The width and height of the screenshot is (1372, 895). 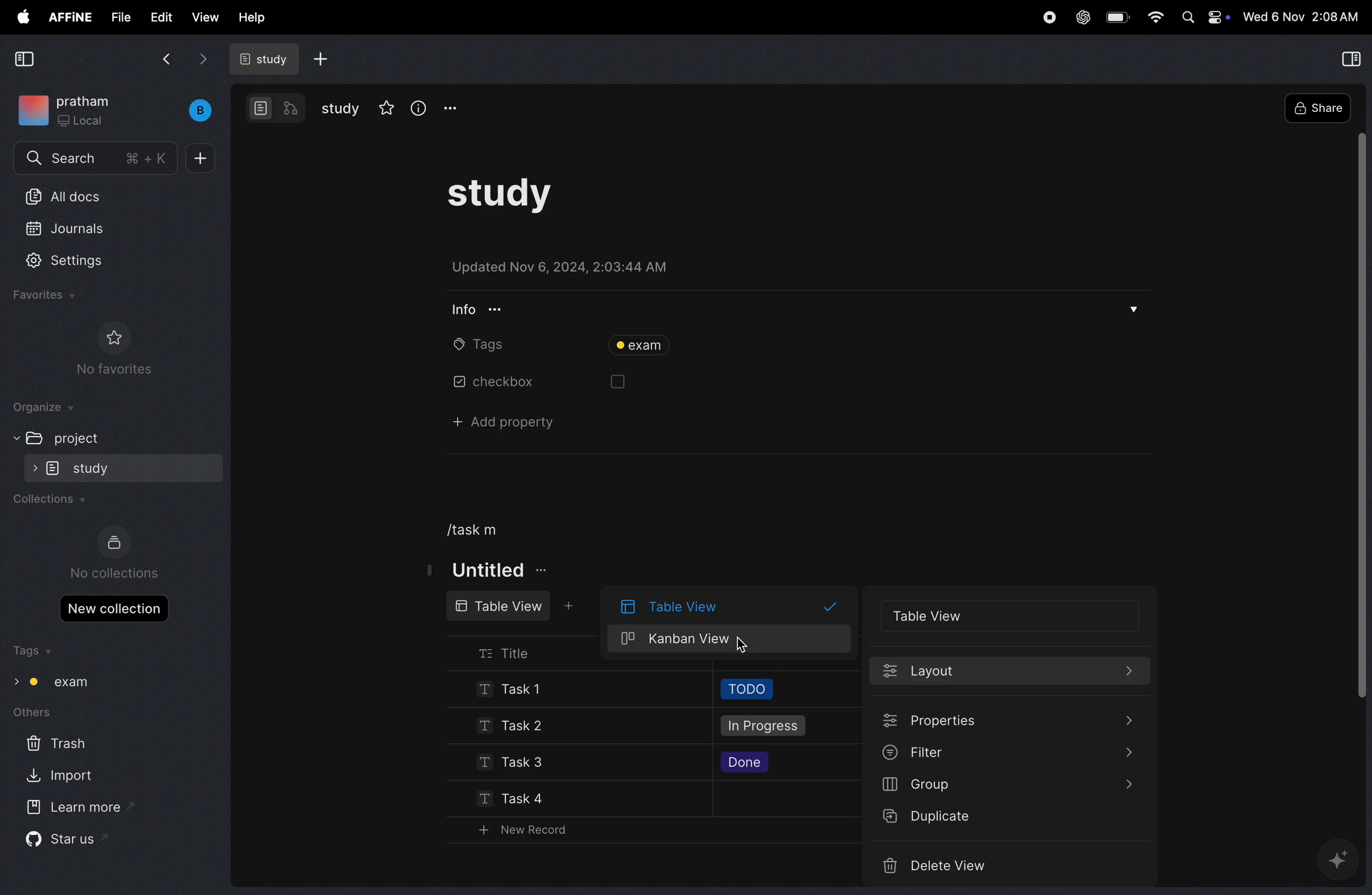 What do you see at coordinates (112, 608) in the screenshot?
I see `new collections` at bounding box center [112, 608].